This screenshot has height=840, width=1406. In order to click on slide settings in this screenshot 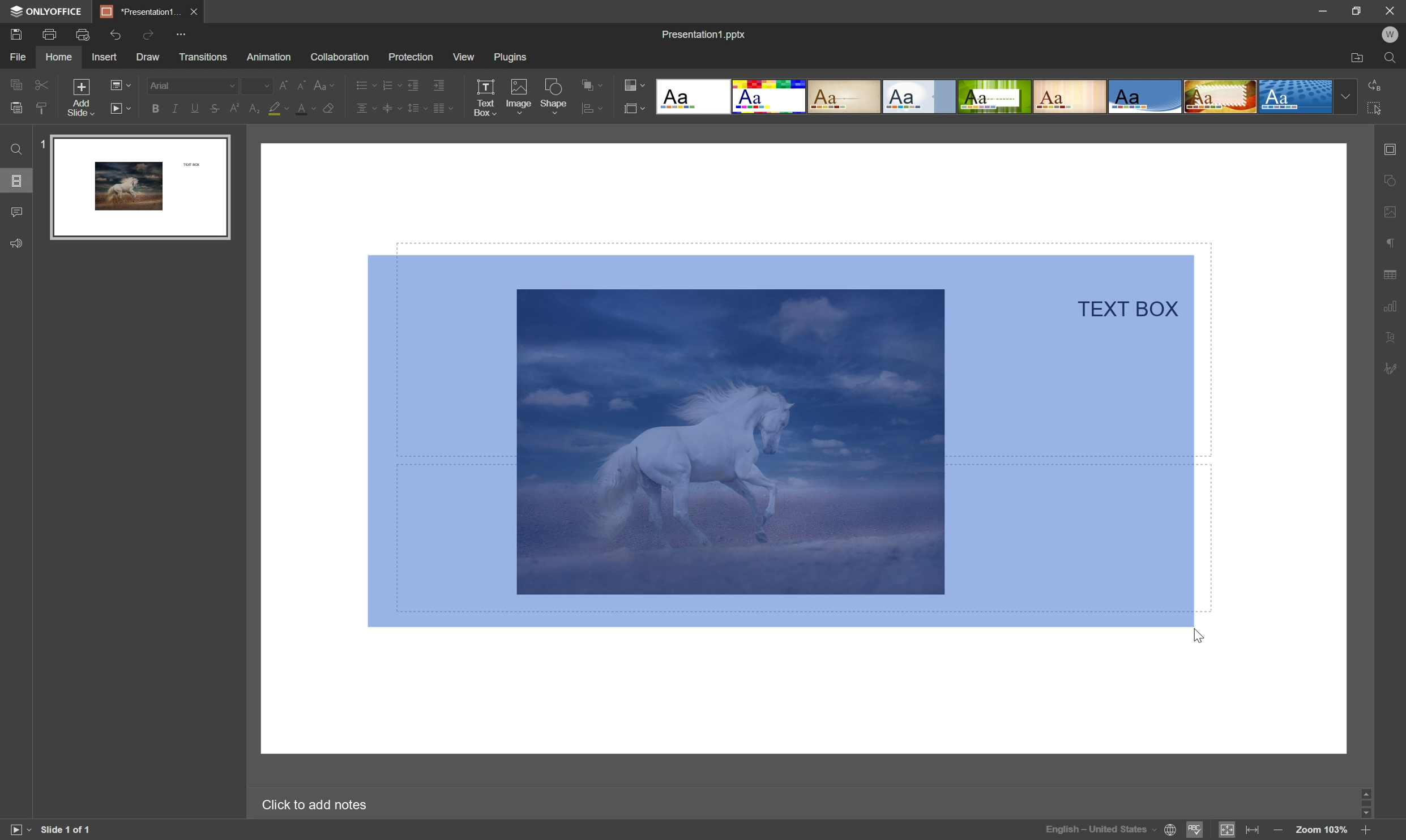, I will do `click(1392, 150)`.